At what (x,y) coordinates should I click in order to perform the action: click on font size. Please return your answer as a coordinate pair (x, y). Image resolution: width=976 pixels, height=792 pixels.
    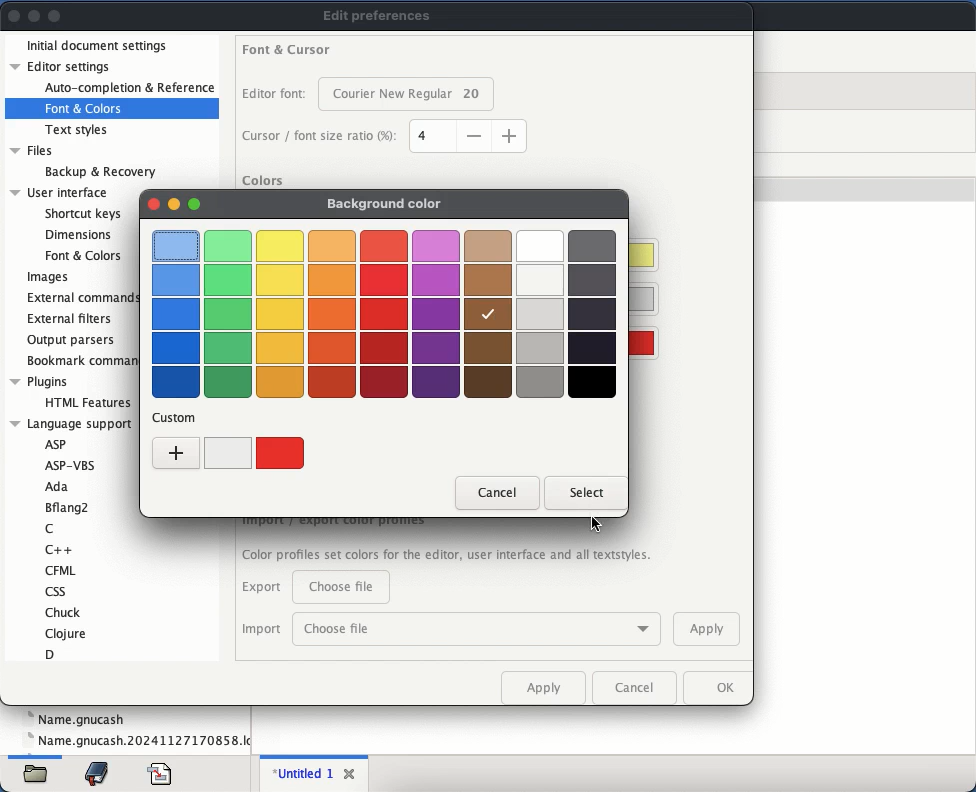
    Looking at the image, I should click on (410, 96).